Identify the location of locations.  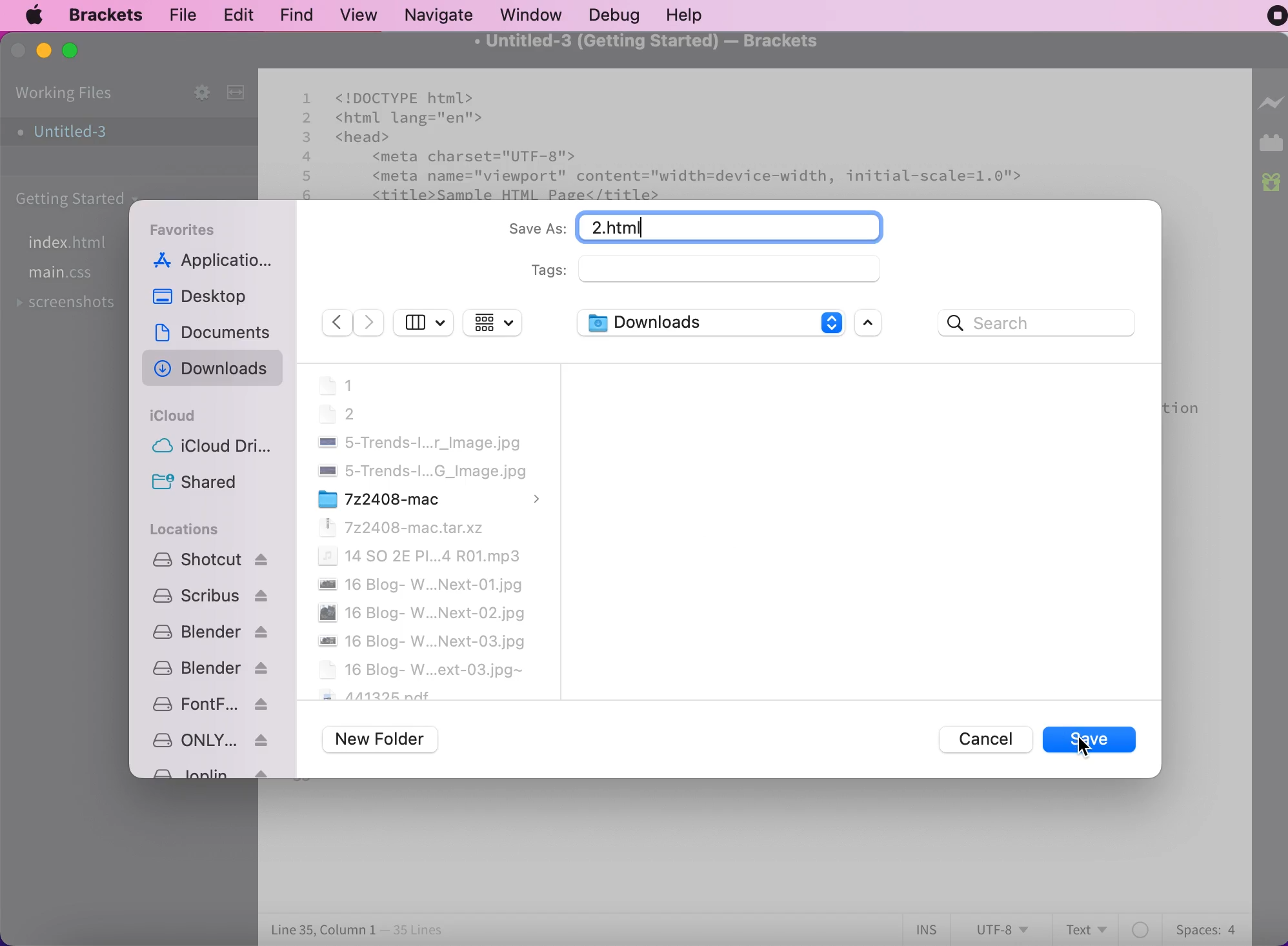
(195, 532).